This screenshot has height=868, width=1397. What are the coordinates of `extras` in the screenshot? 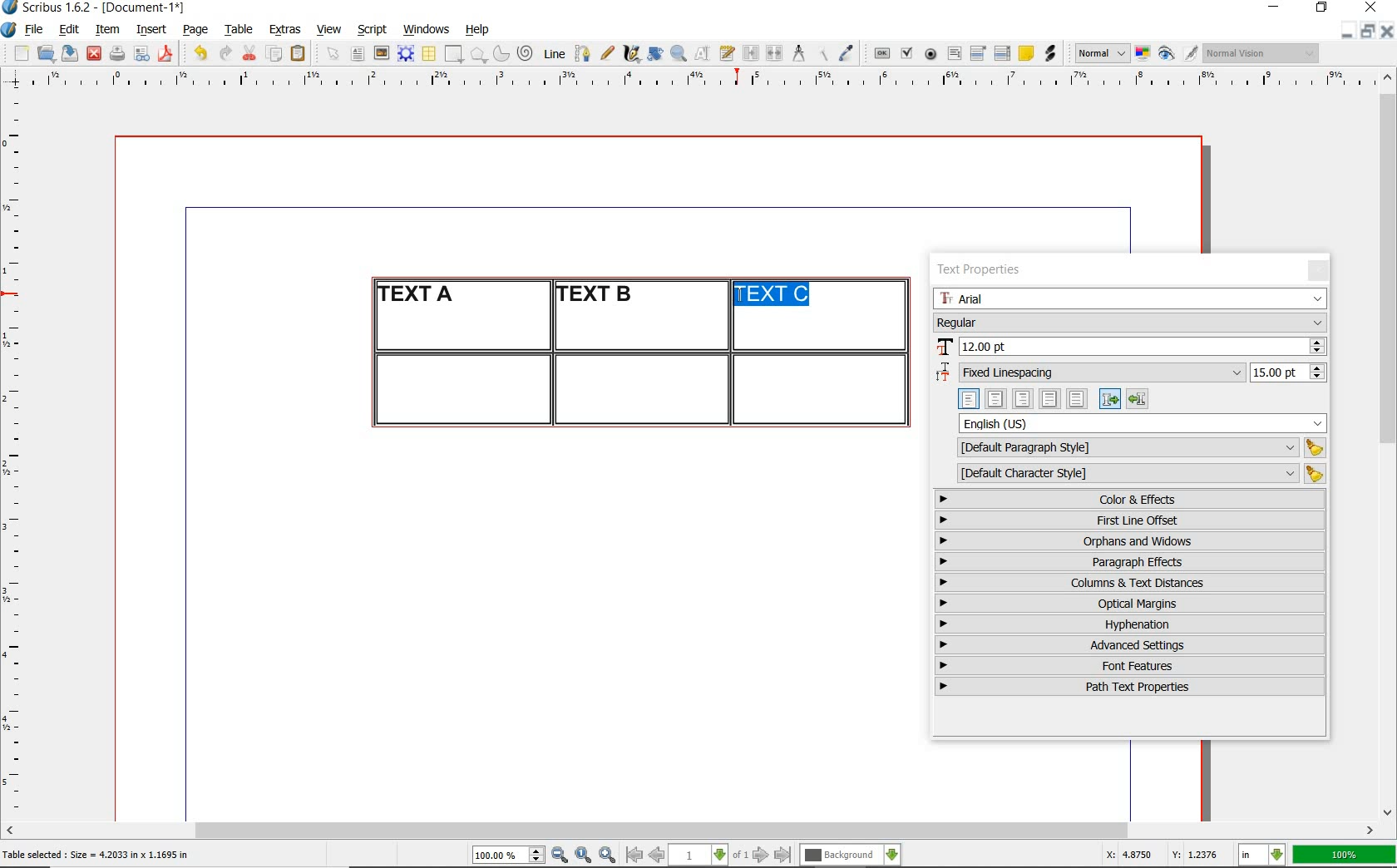 It's located at (285, 31).